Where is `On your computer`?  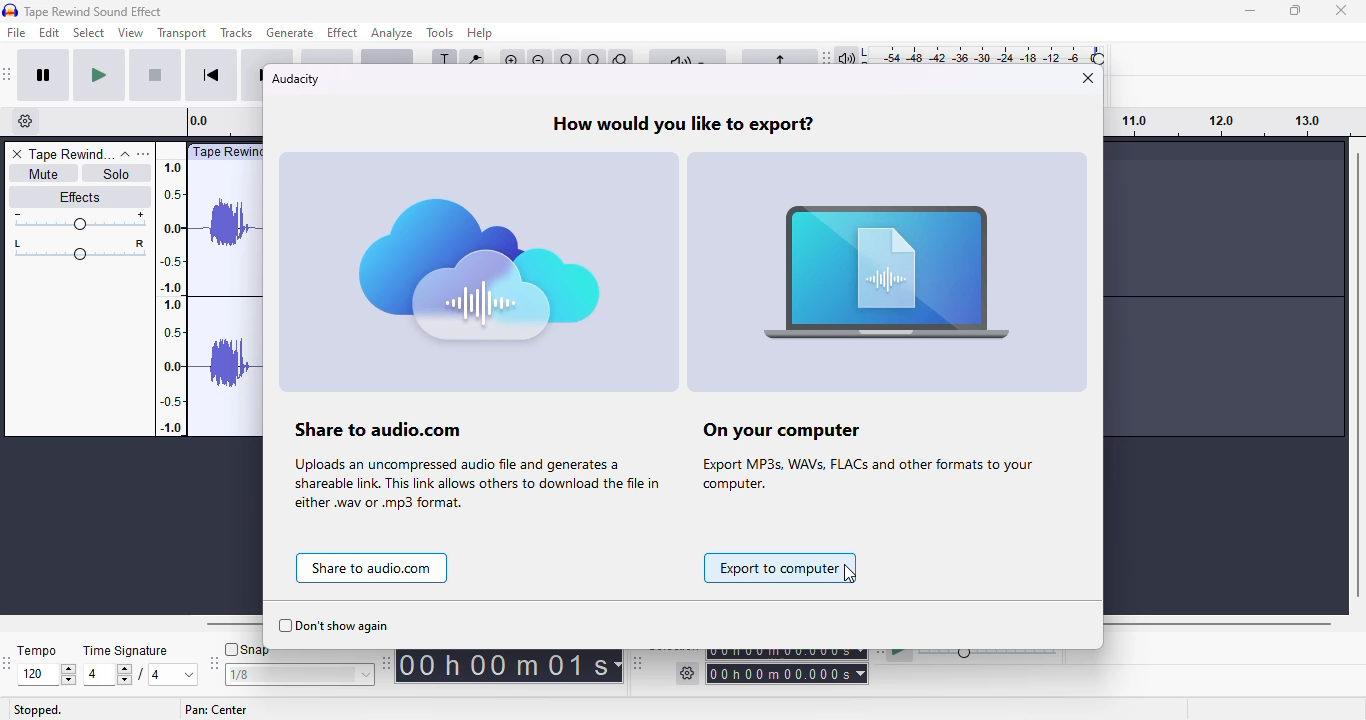
On your computer is located at coordinates (797, 430).